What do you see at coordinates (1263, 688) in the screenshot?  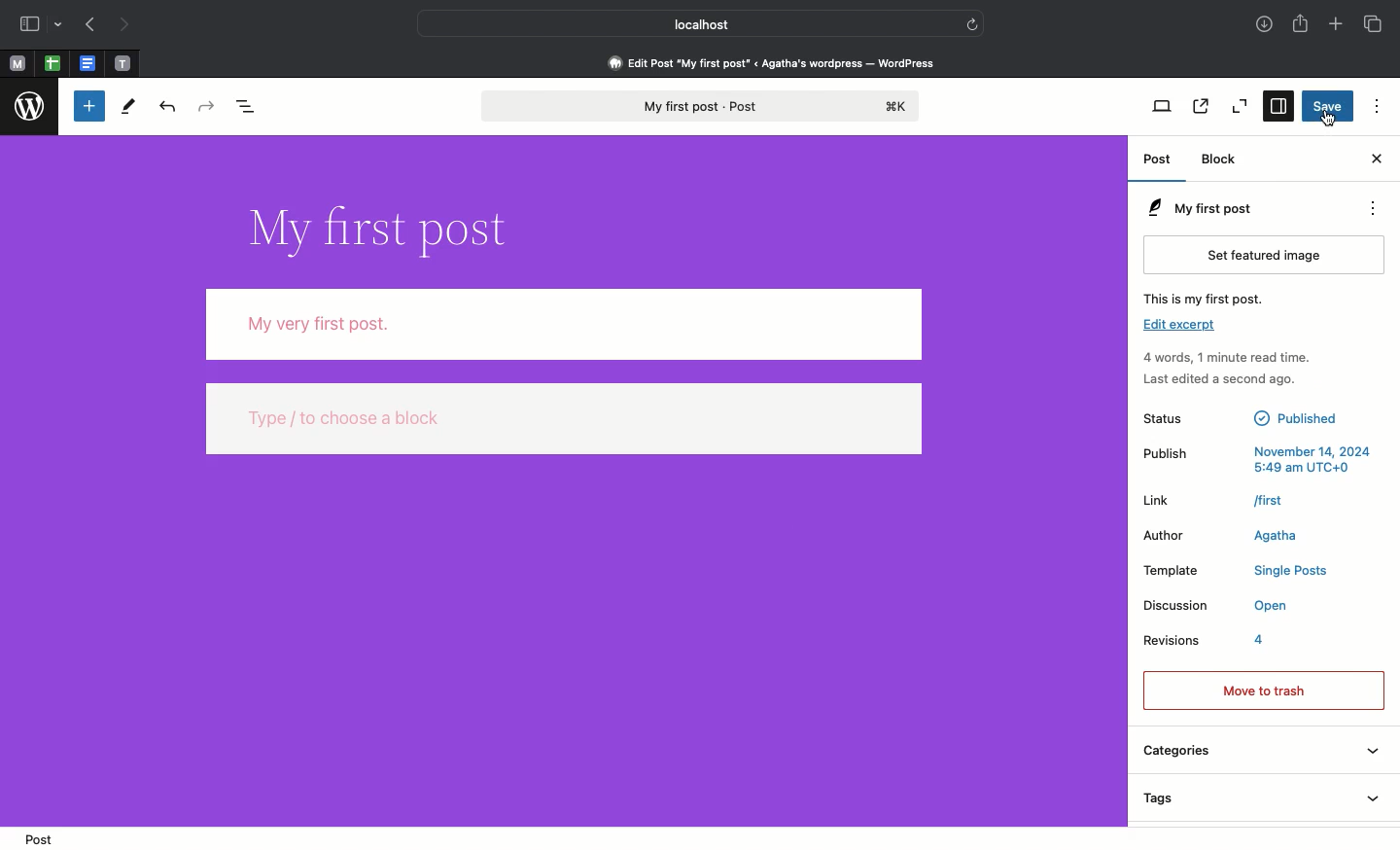 I see `Move to trash` at bounding box center [1263, 688].